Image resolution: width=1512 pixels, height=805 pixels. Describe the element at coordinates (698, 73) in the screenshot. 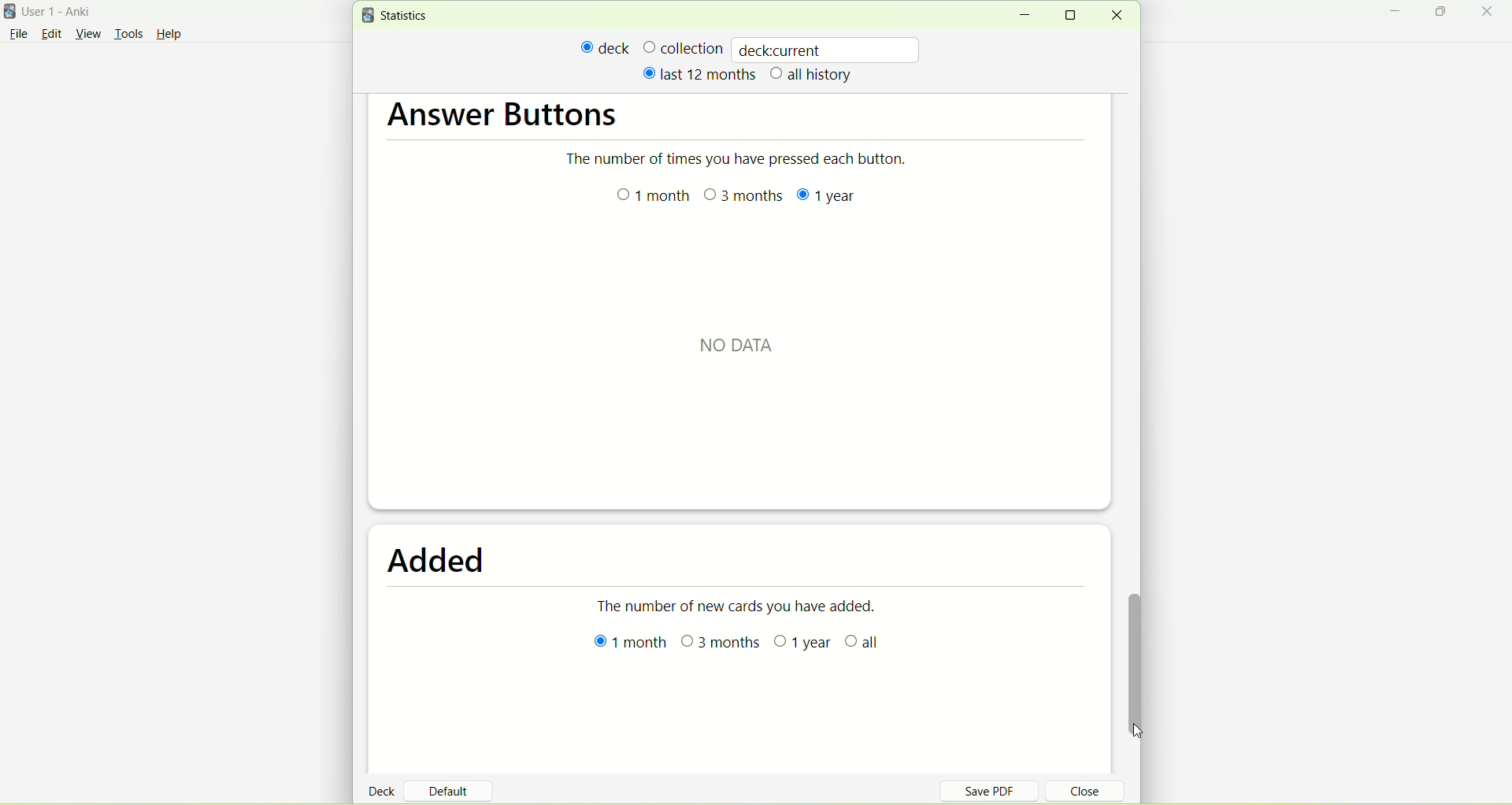

I see `last 12 months` at that location.